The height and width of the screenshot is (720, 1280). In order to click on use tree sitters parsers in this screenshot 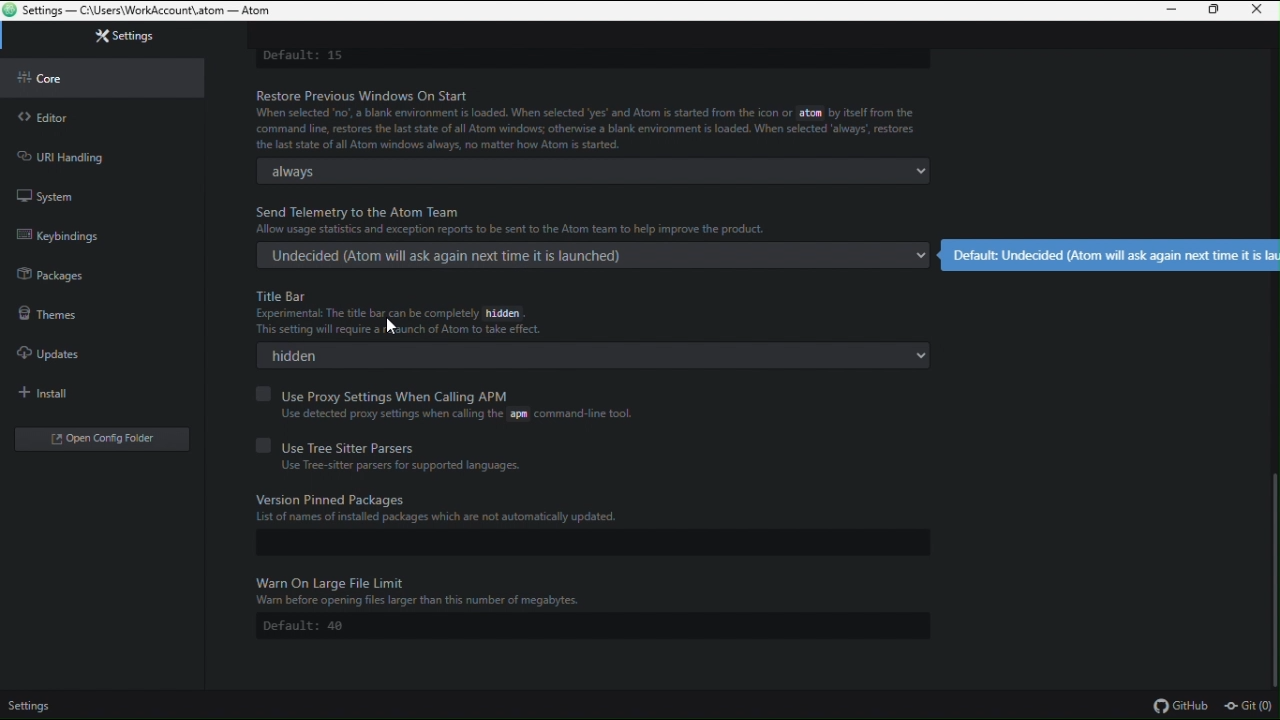, I will do `click(473, 445)`.